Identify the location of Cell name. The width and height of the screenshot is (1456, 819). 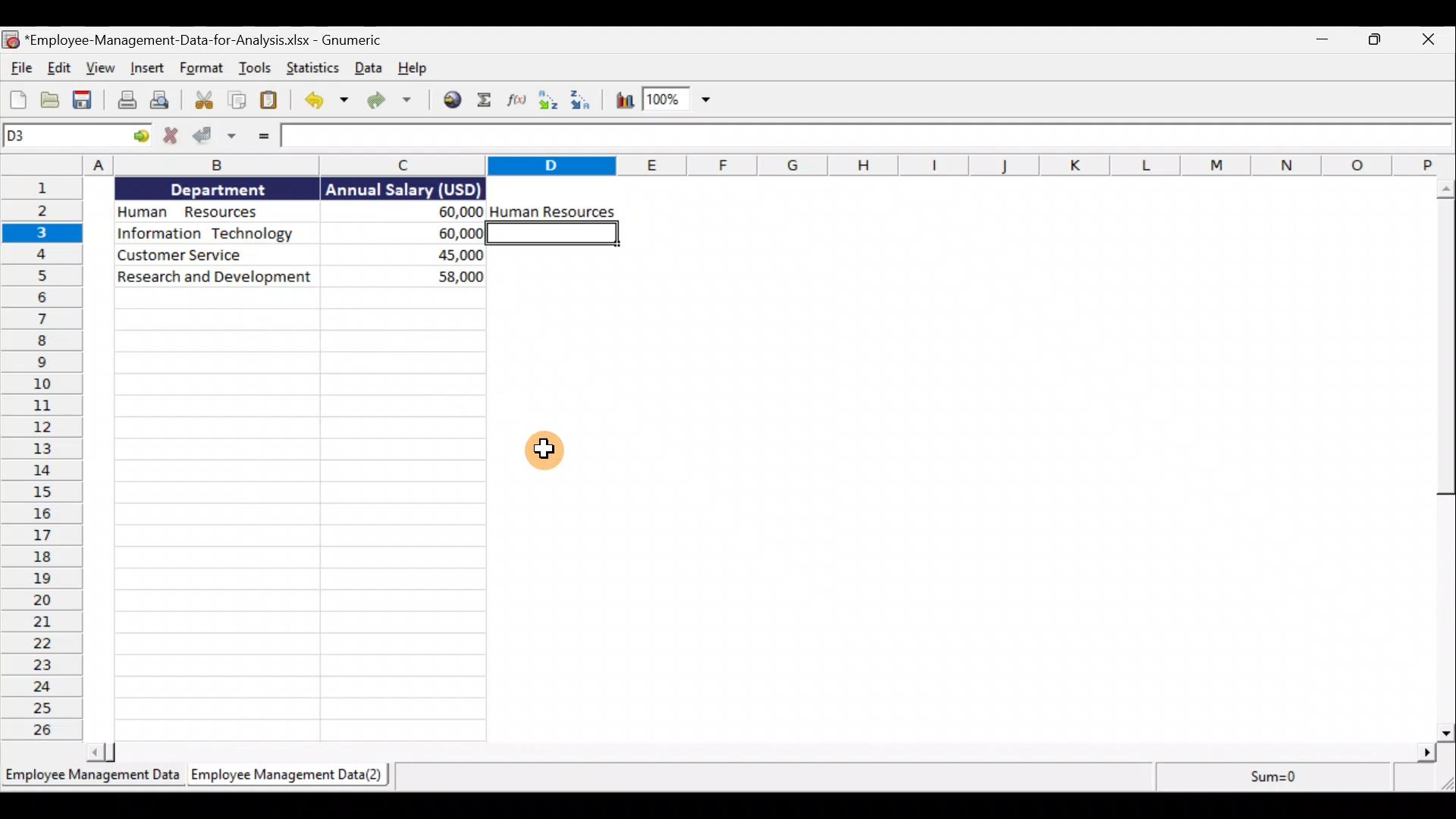
(78, 136).